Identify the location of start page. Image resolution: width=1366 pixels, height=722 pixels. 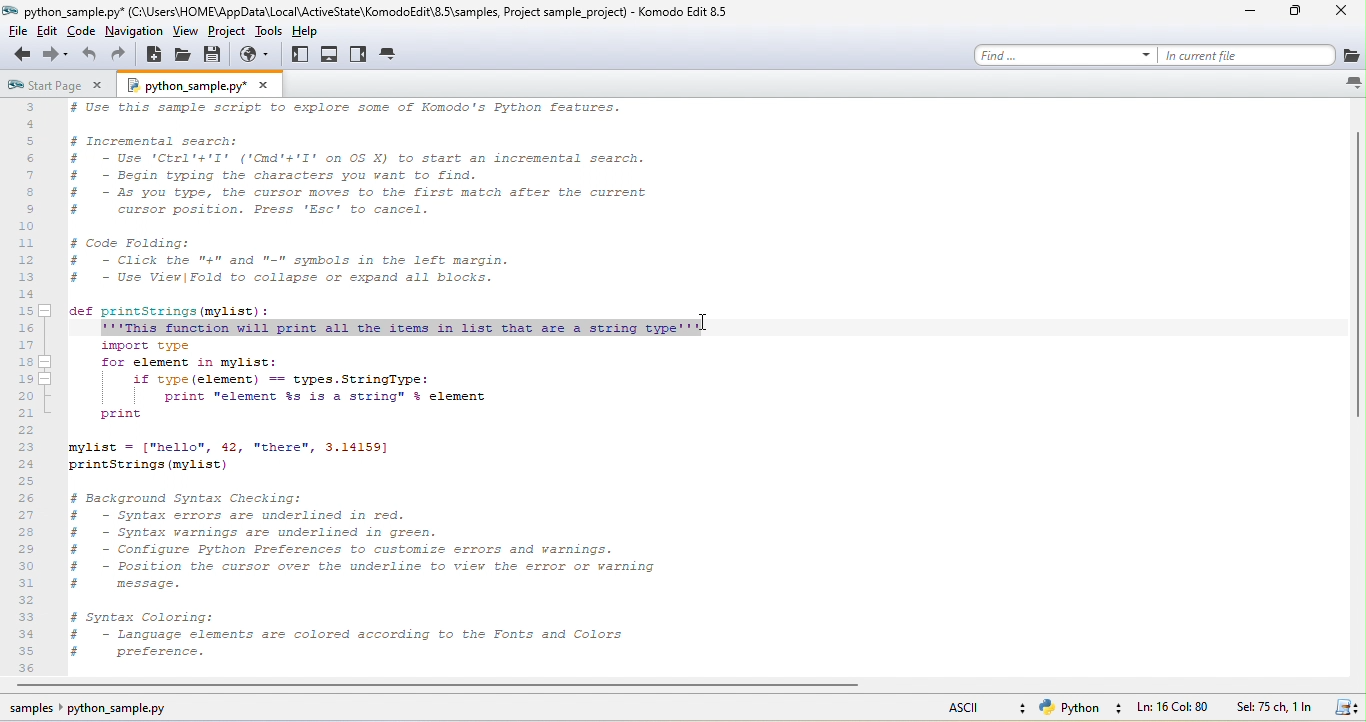
(42, 87).